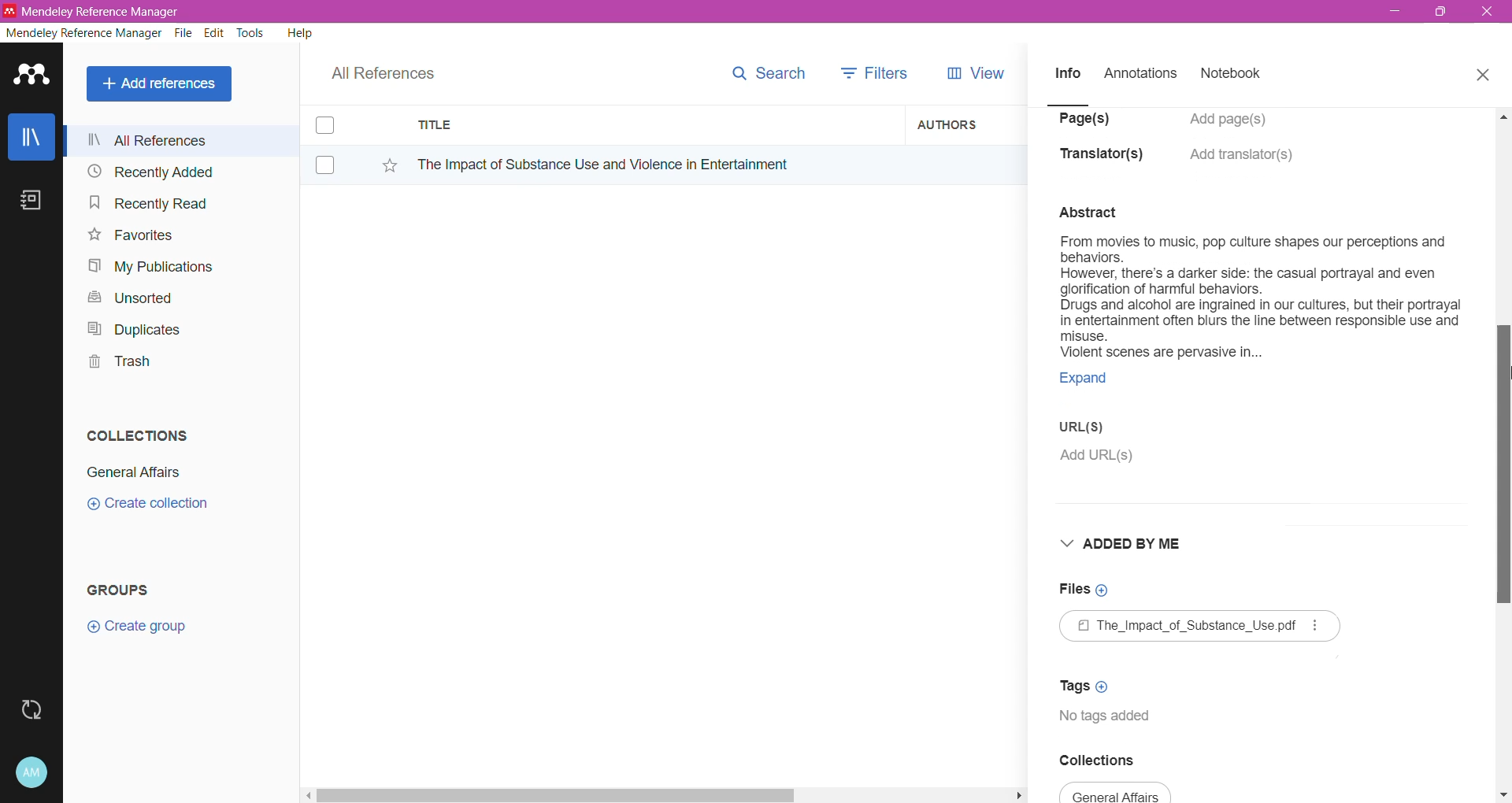 The height and width of the screenshot is (803, 1512). Describe the element at coordinates (1395, 12) in the screenshot. I see `Minimize` at that location.